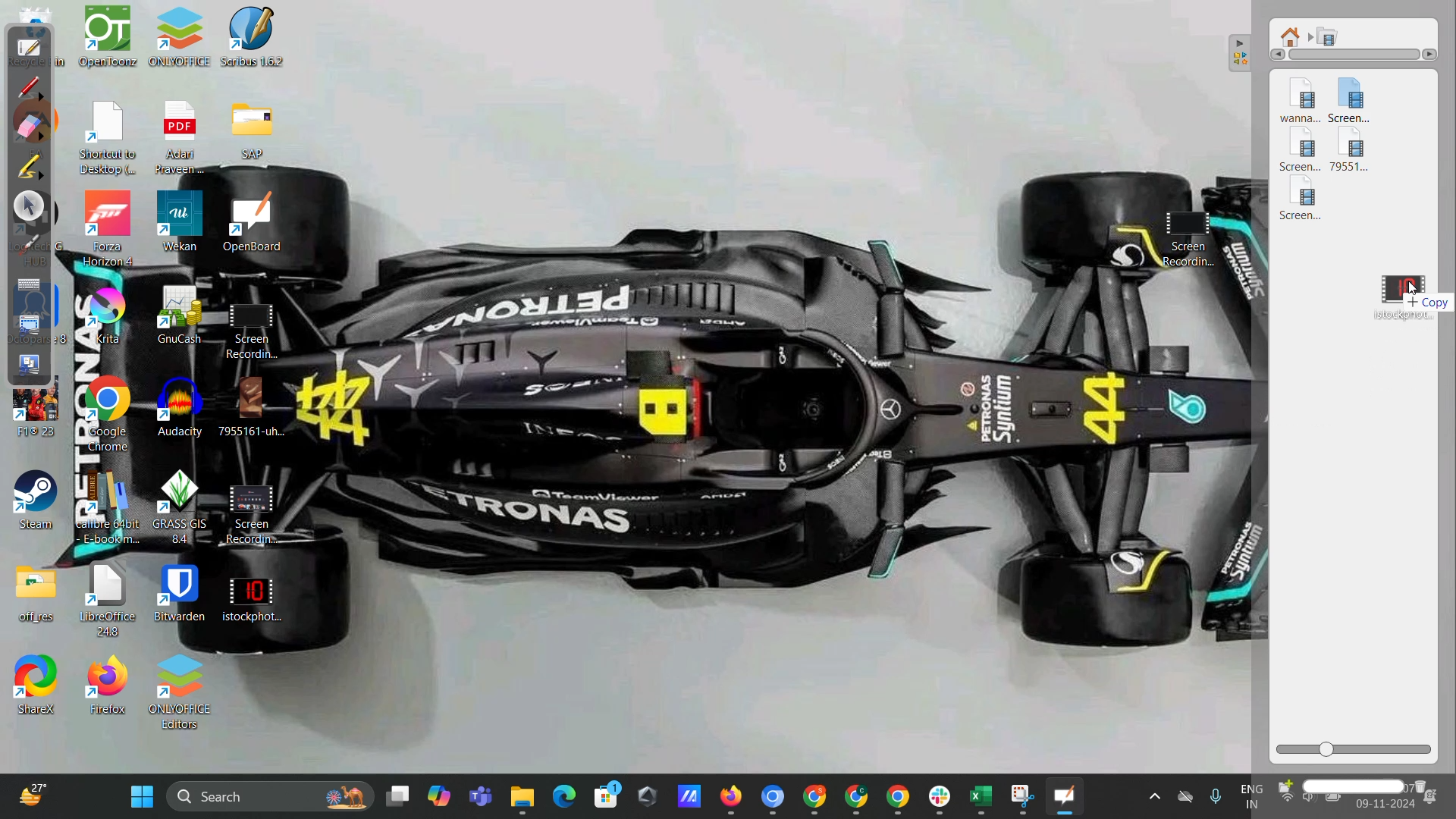 The image size is (1456, 819). What do you see at coordinates (37, 502) in the screenshot?
I see `shortcut on desktop 16` at bounding box center [37, 502].